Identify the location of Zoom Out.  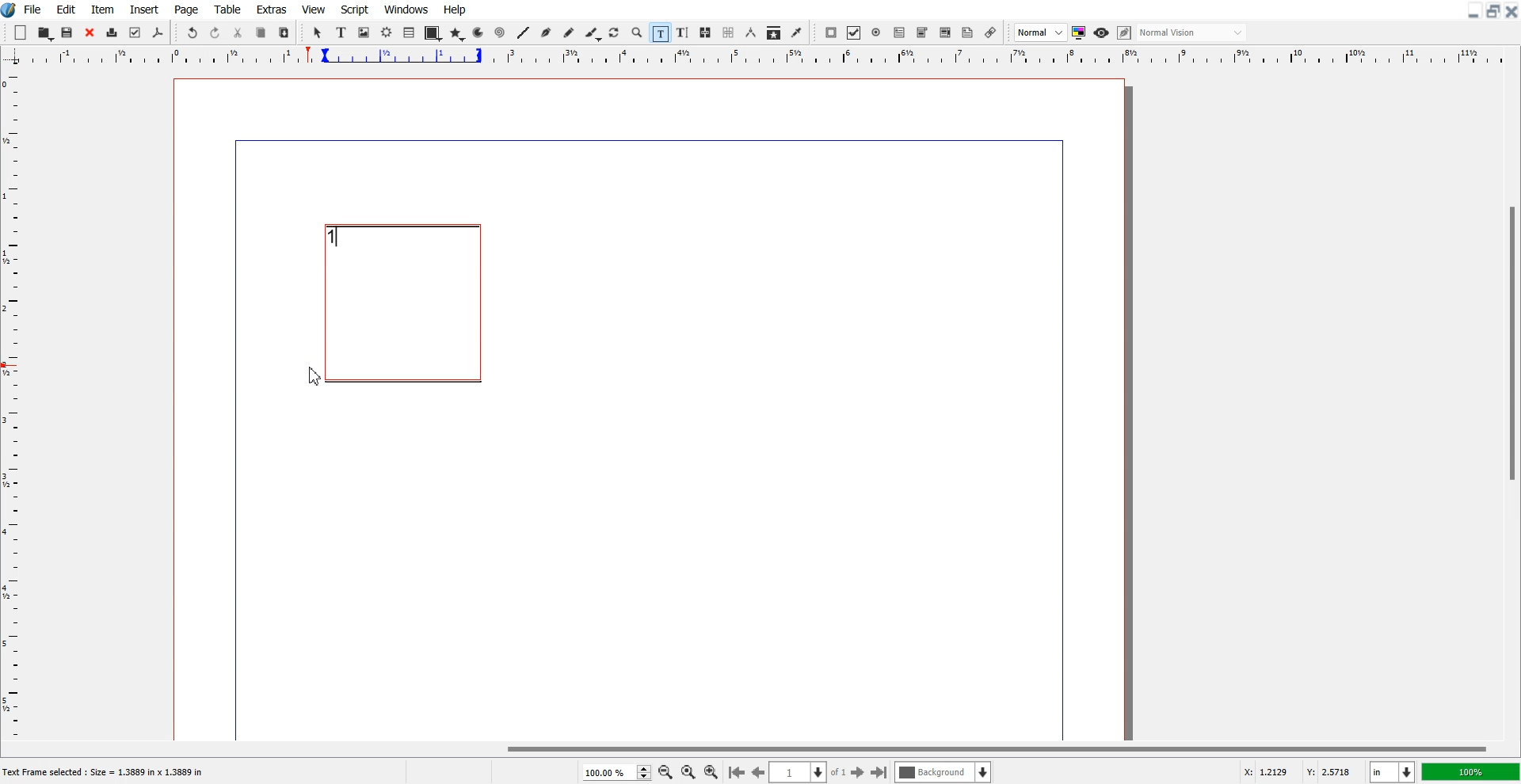
(666, 773).